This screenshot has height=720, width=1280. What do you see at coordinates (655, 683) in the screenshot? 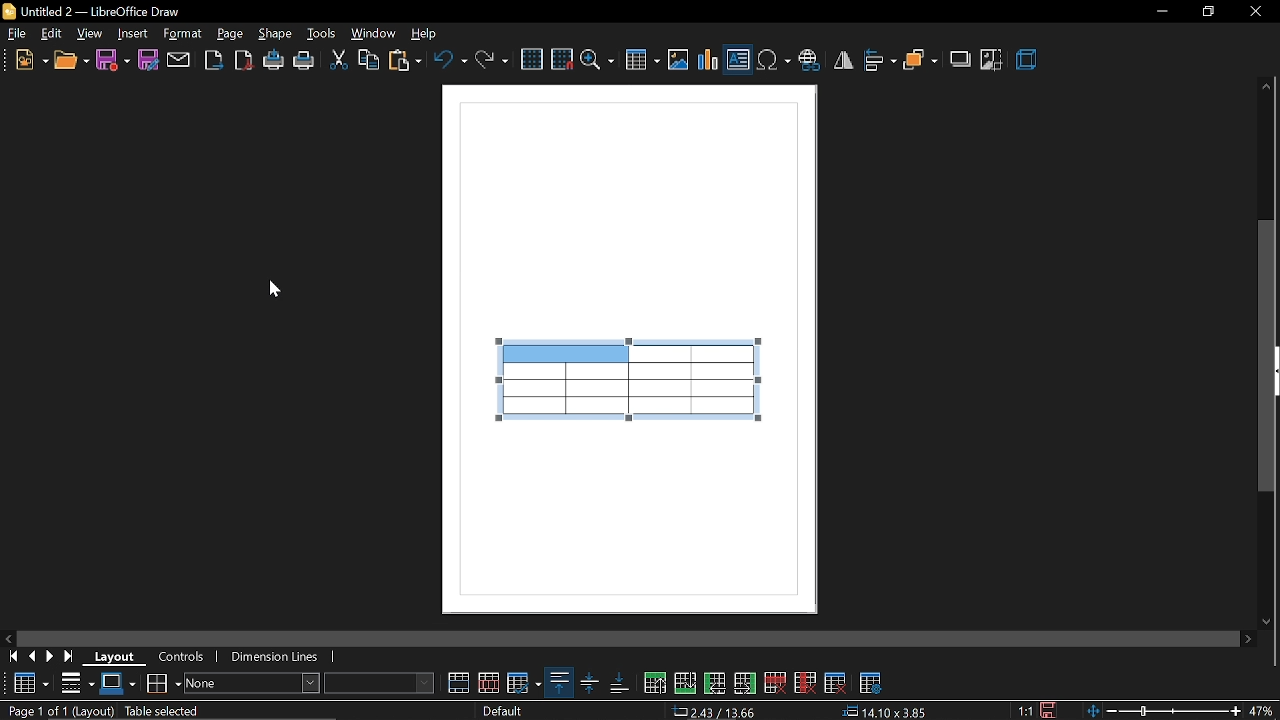
I see `insert row above` at bounding box center [655, 683].